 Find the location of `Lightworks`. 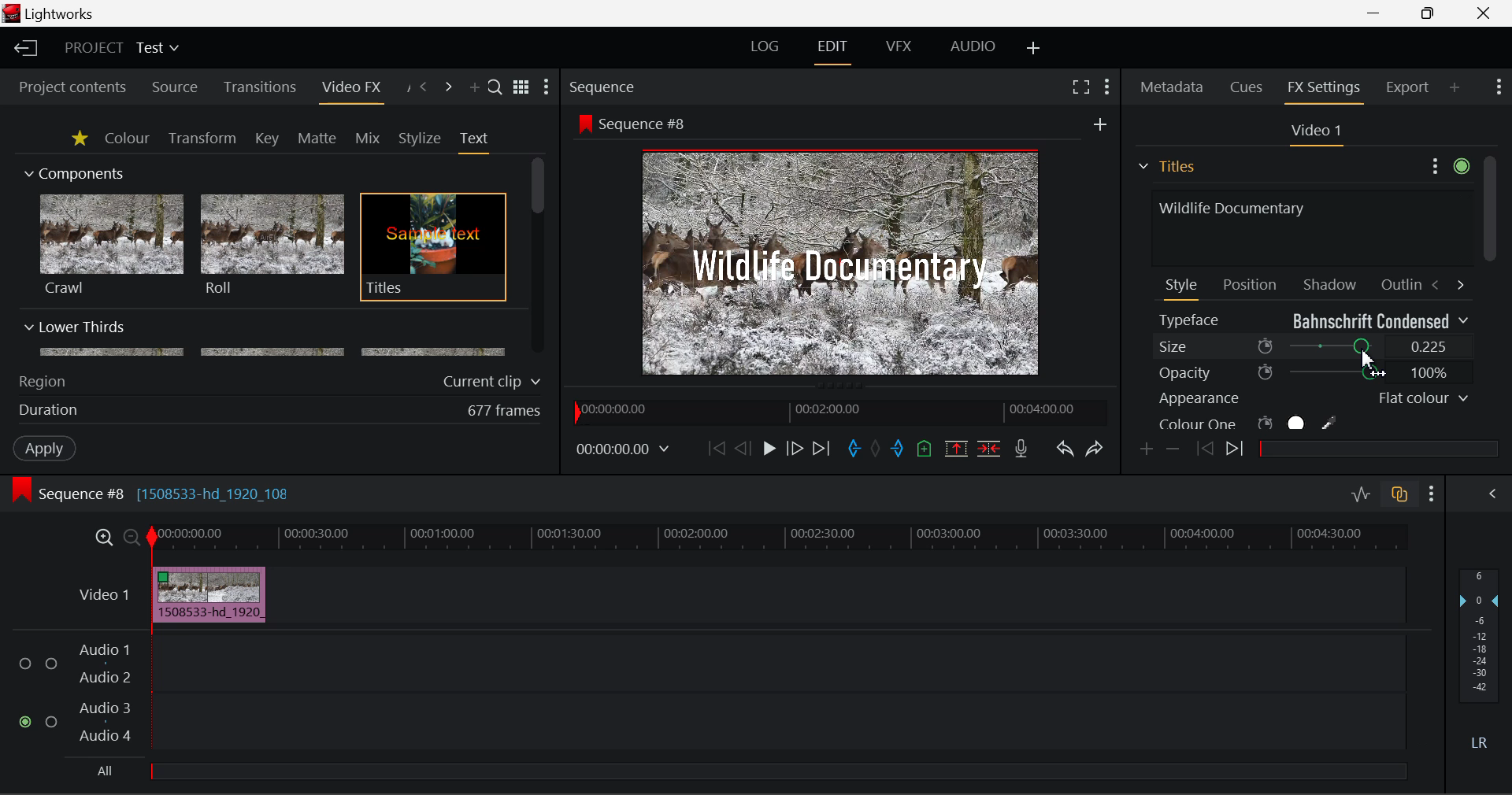

Lightworks is located at coordinates (61, 13).